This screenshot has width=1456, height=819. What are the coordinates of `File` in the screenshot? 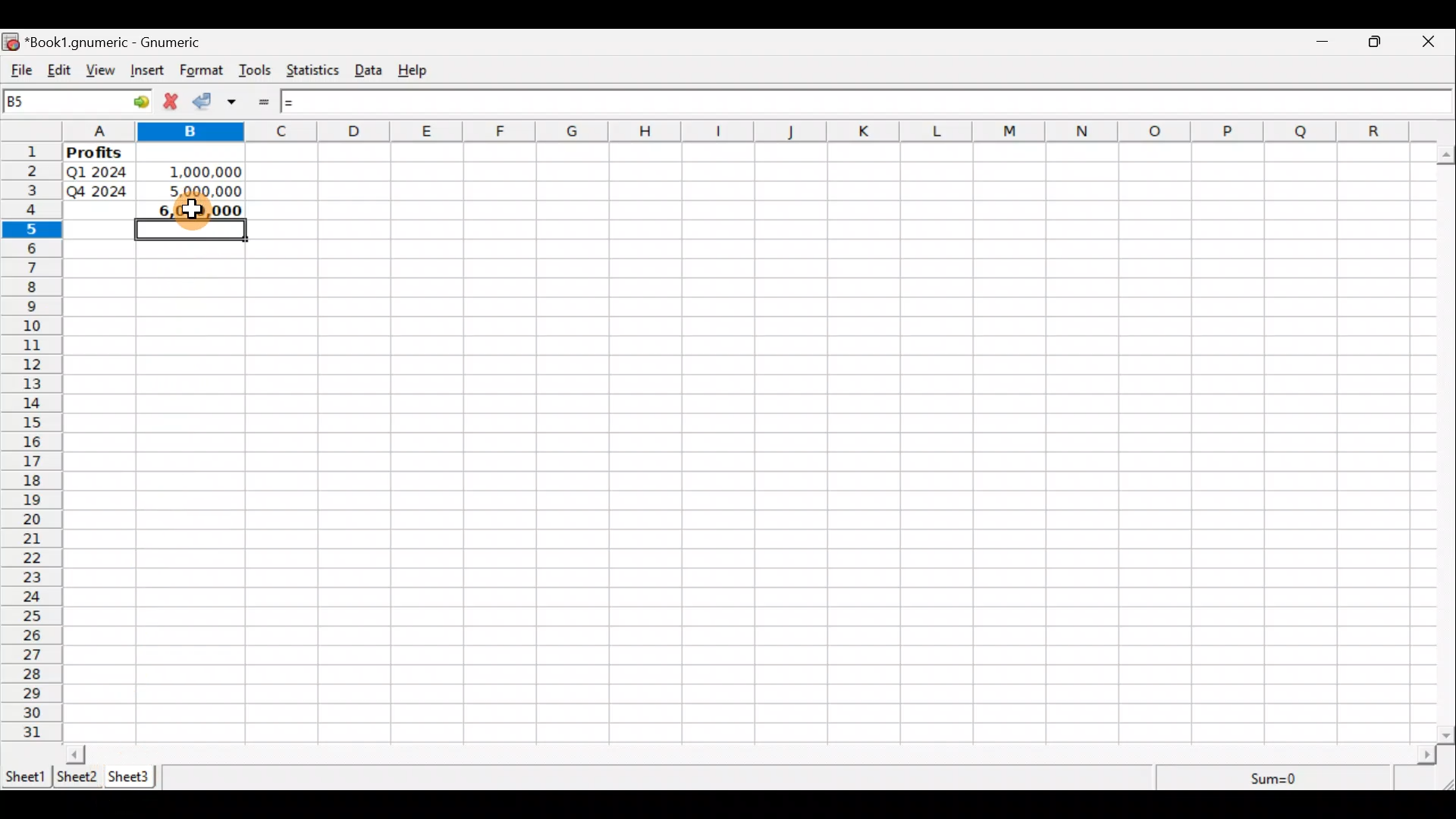 It's located at (19, 71).